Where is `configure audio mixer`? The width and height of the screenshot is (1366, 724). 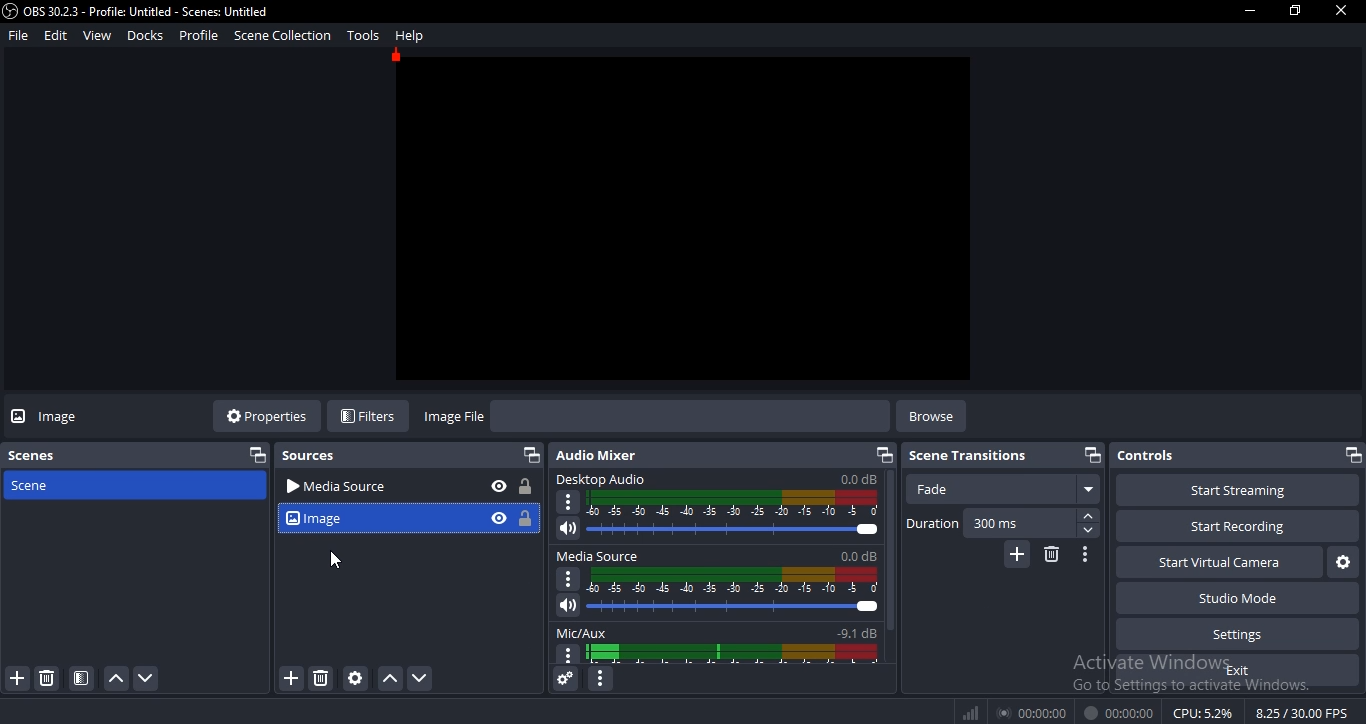 configure audio mixer is located at coordinates (603, 680).